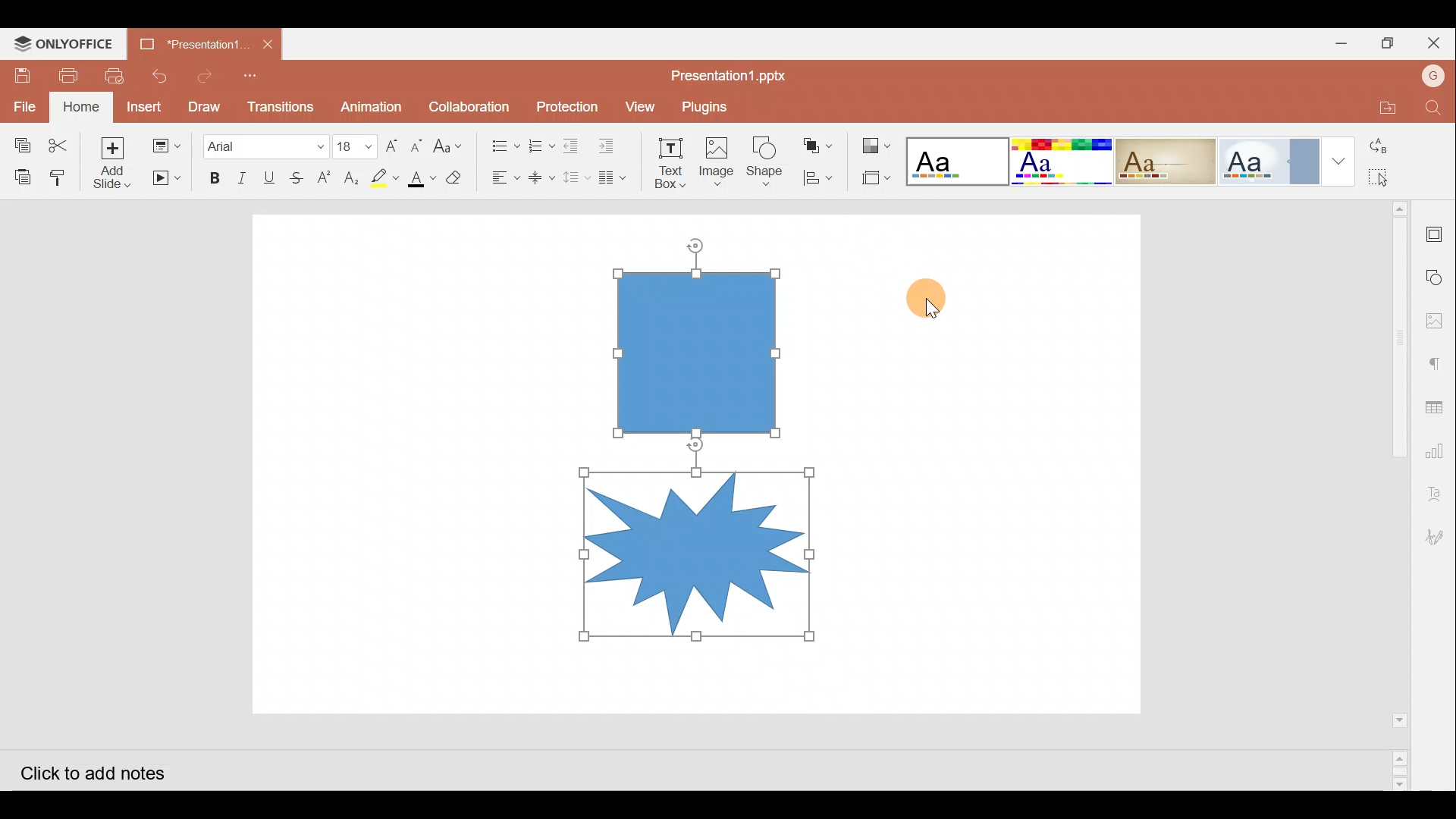 This screenshot has width=1456, height=819. Describe the element at coordinates (372, 102) in the screenshot. I see `Animation` at that location.